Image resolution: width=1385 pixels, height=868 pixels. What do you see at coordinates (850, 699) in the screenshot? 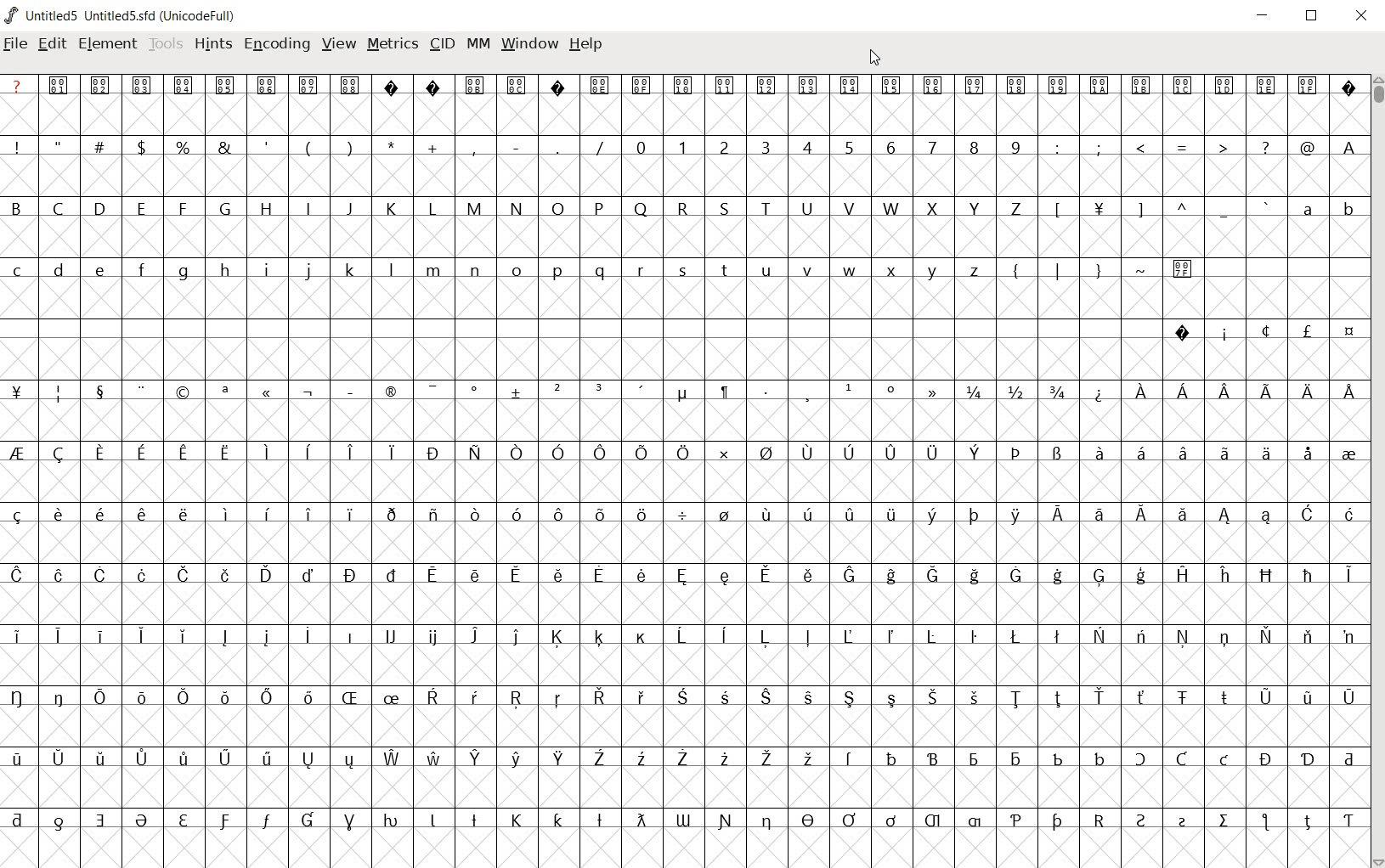
I see `Symbol` at bounding box center [850, 699].